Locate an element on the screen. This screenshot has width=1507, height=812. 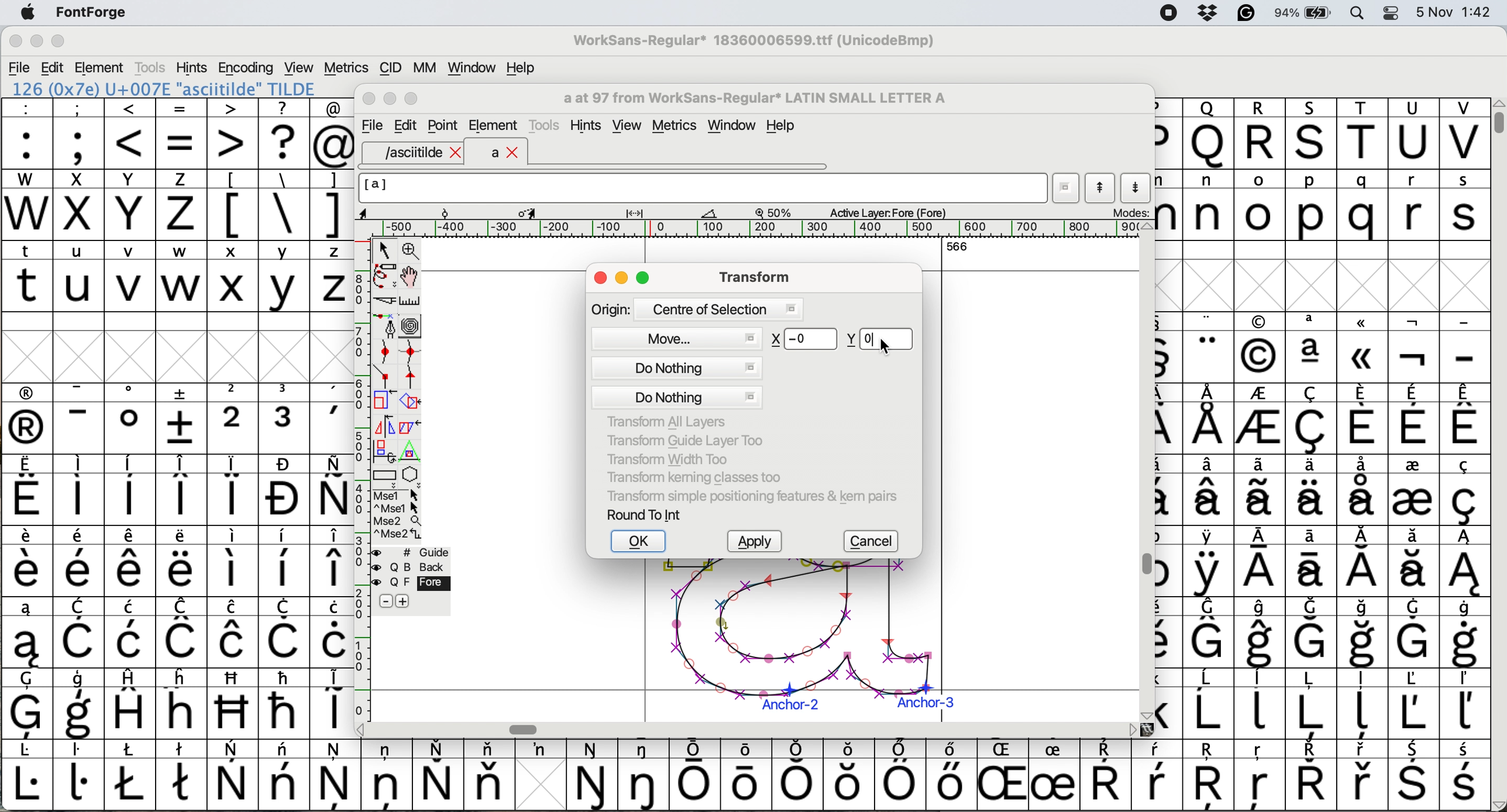
z is located at coordinates (332, 276).